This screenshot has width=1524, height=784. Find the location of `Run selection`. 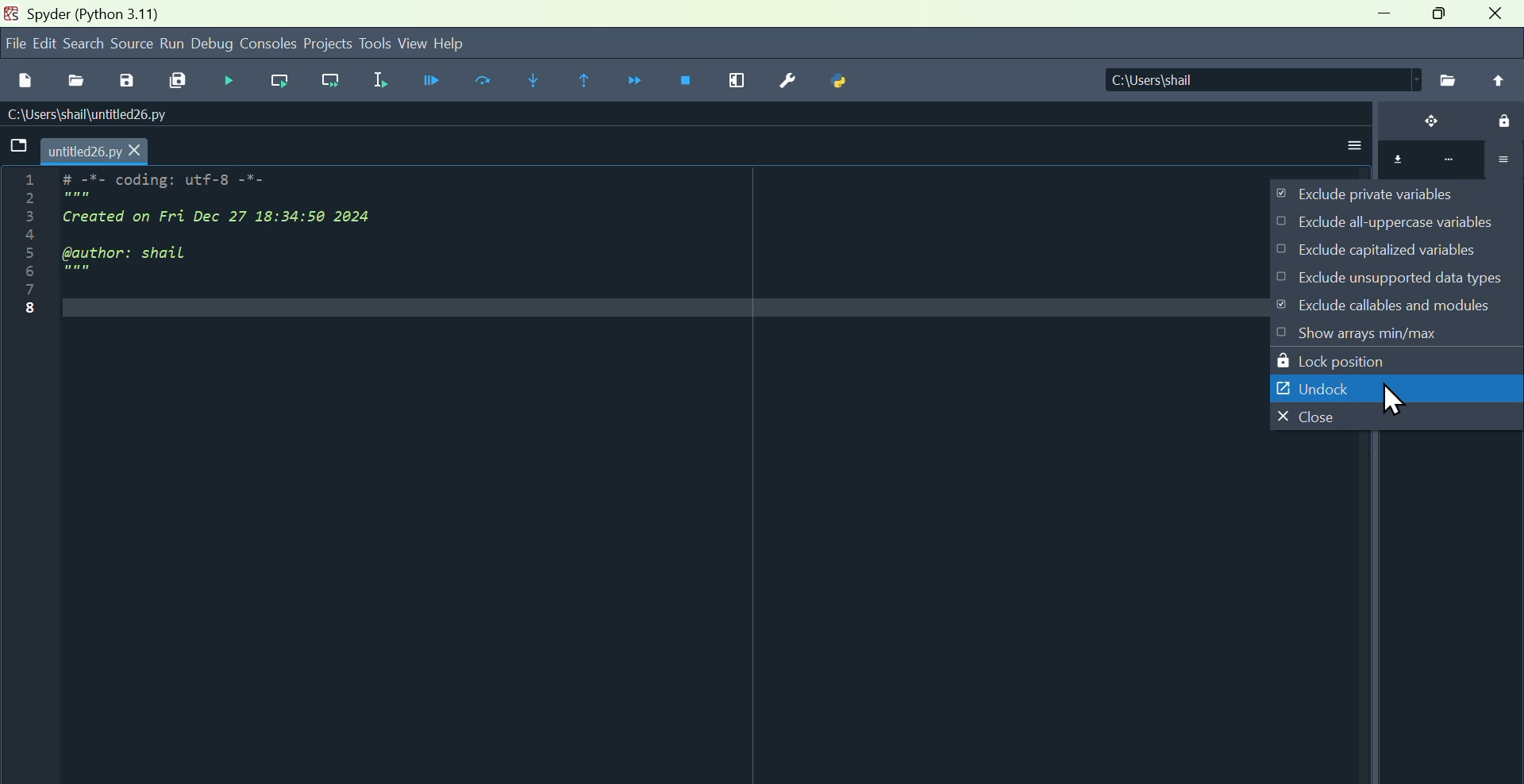

Run selection is located at coordinates (381, 79).